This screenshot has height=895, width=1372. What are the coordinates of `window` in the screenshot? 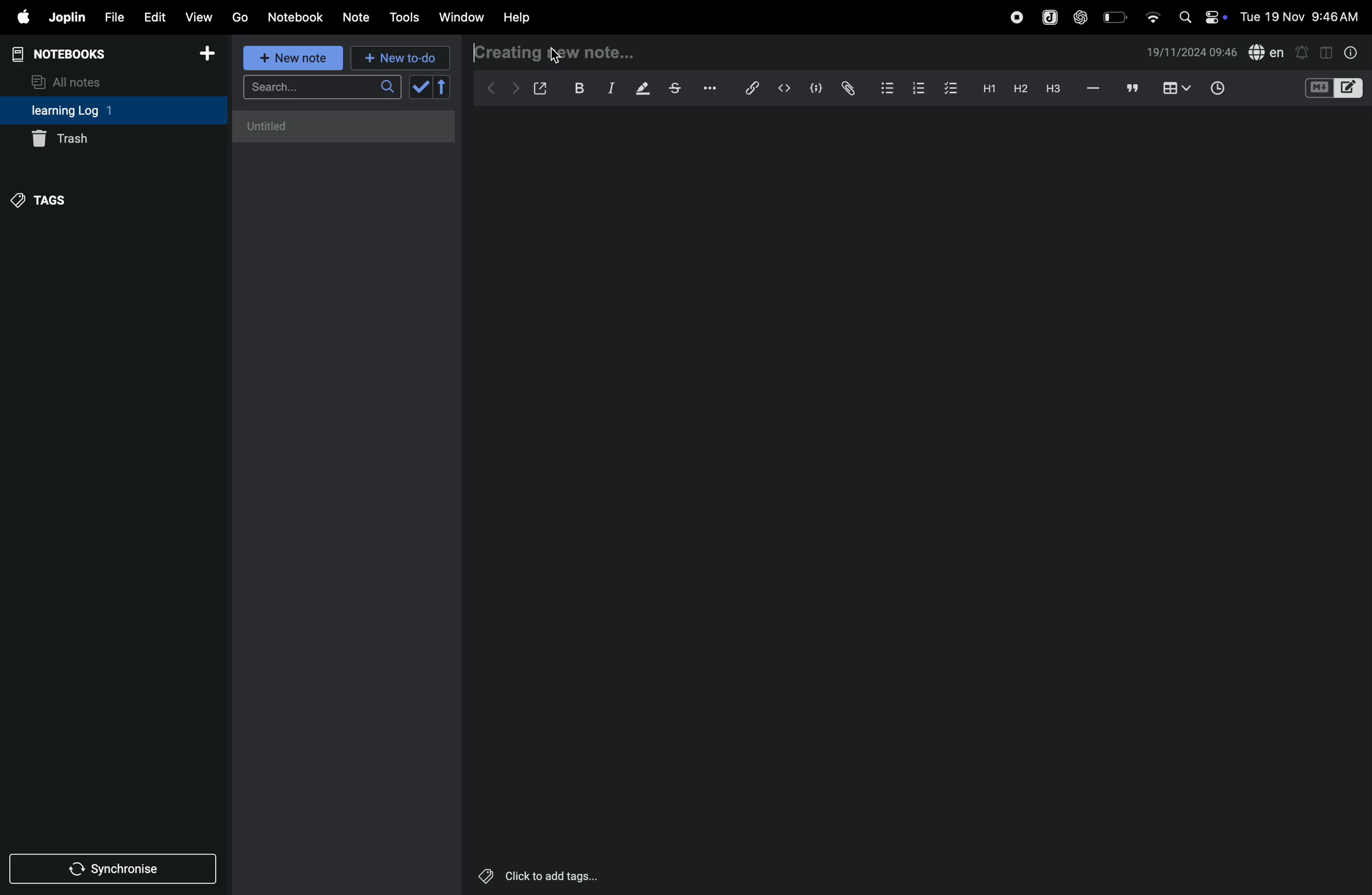 It's located at (462, 17).